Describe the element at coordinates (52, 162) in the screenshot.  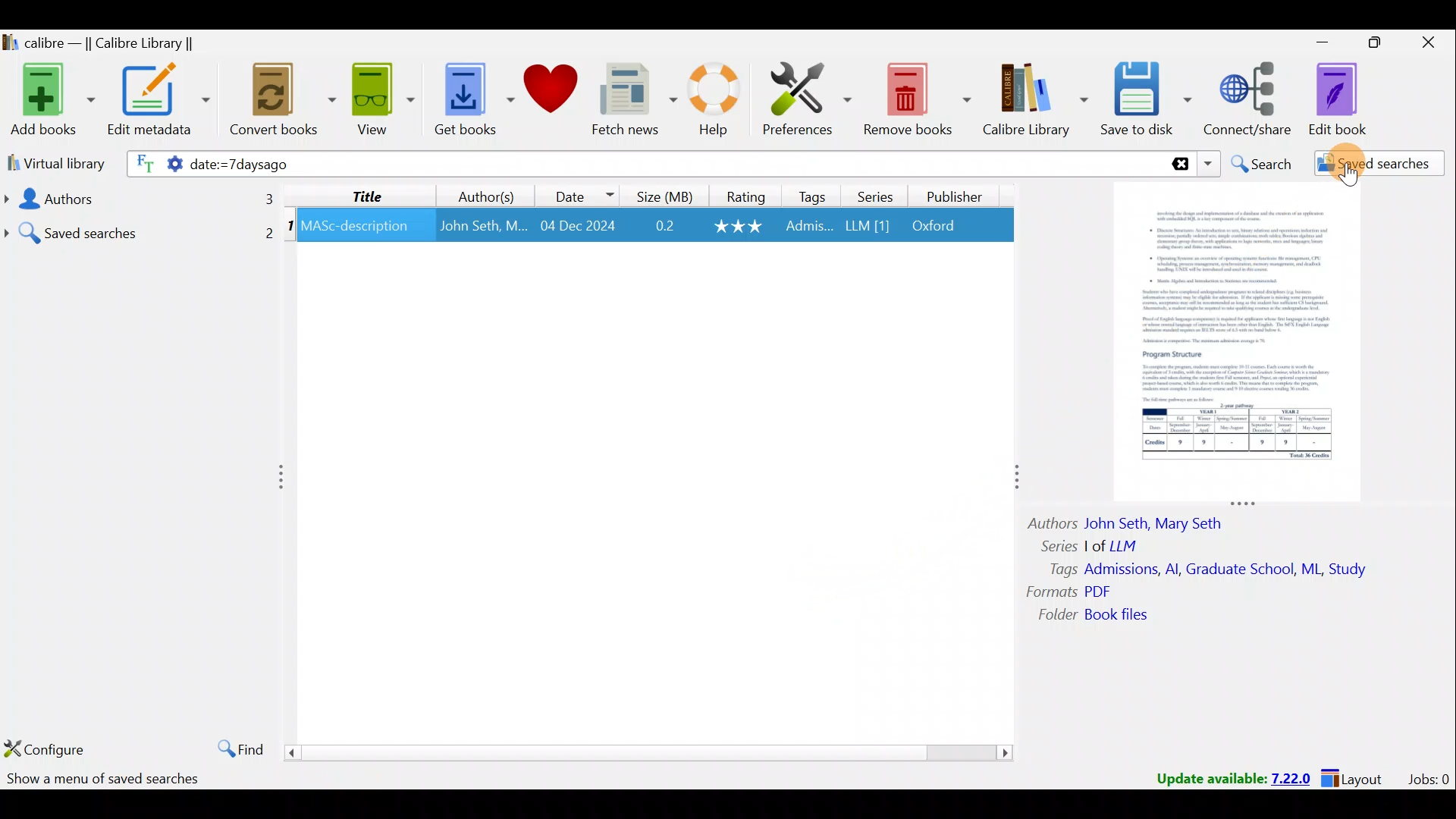
I see `Virtual library` at that location.